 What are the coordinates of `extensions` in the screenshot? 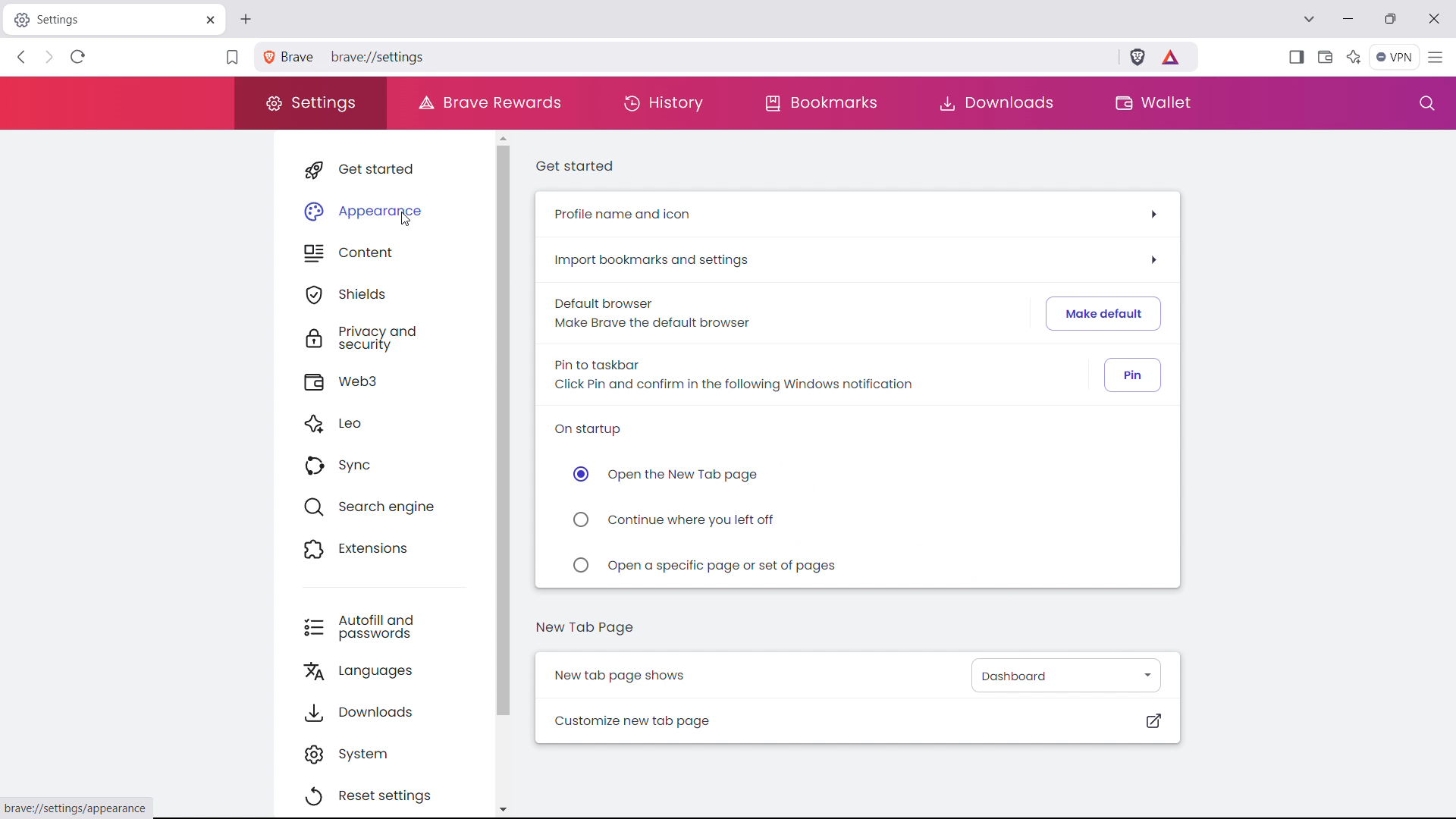 It's located at (386, 546).